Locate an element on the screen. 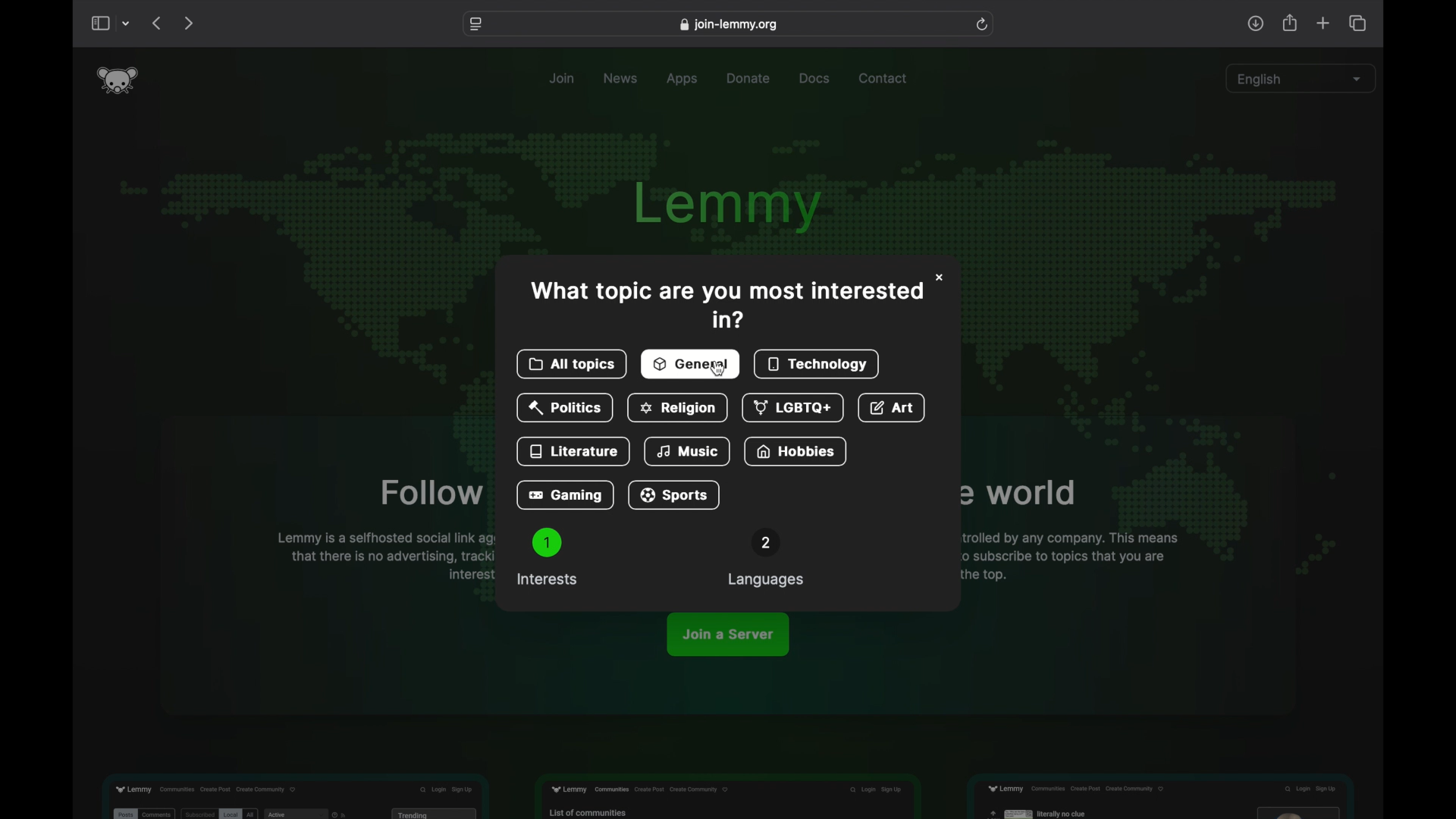 The width and height of the screenshot is (1456, 819). close is located at coordinates (941, 276).